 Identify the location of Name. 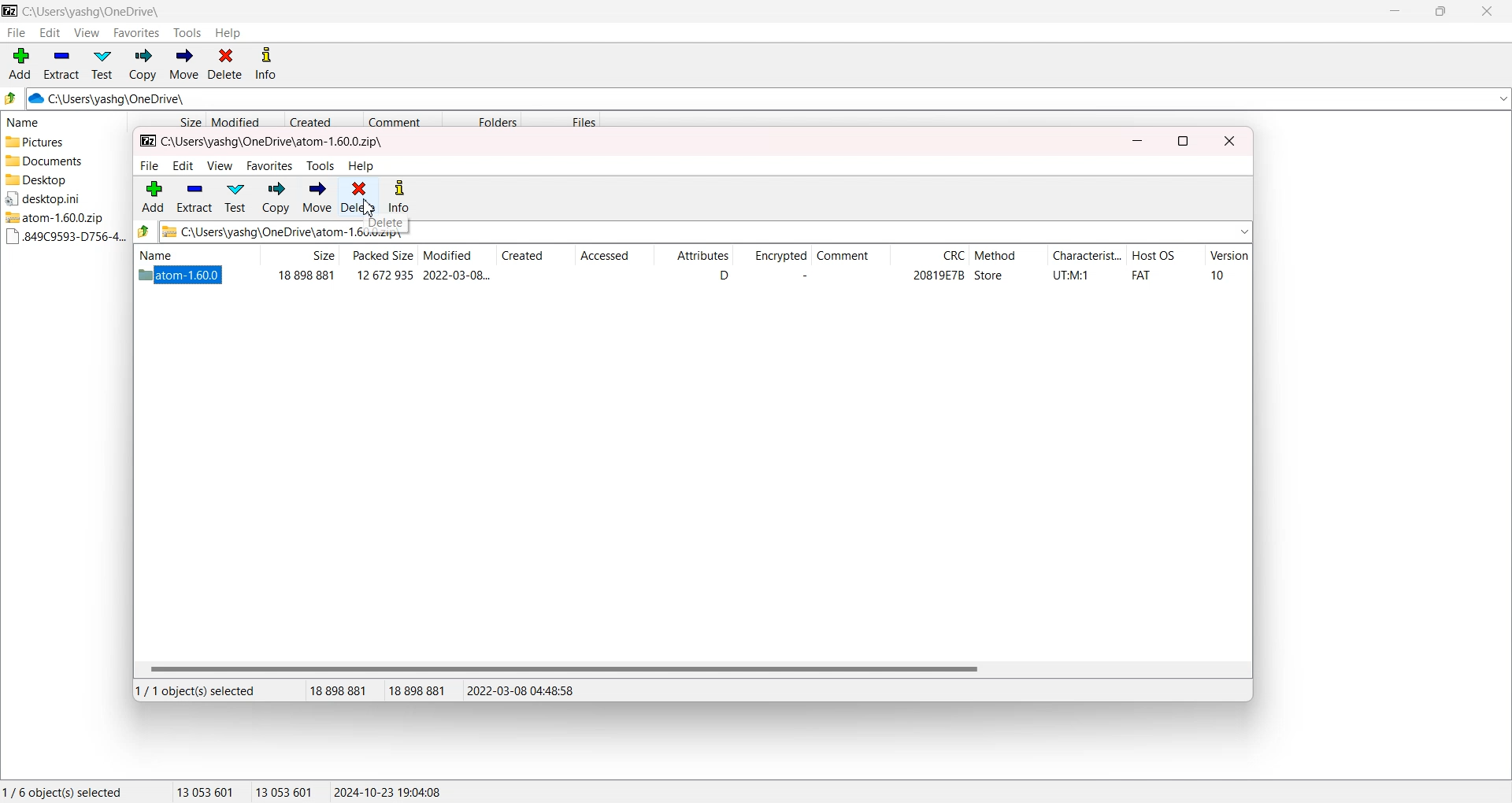
(193, 254).